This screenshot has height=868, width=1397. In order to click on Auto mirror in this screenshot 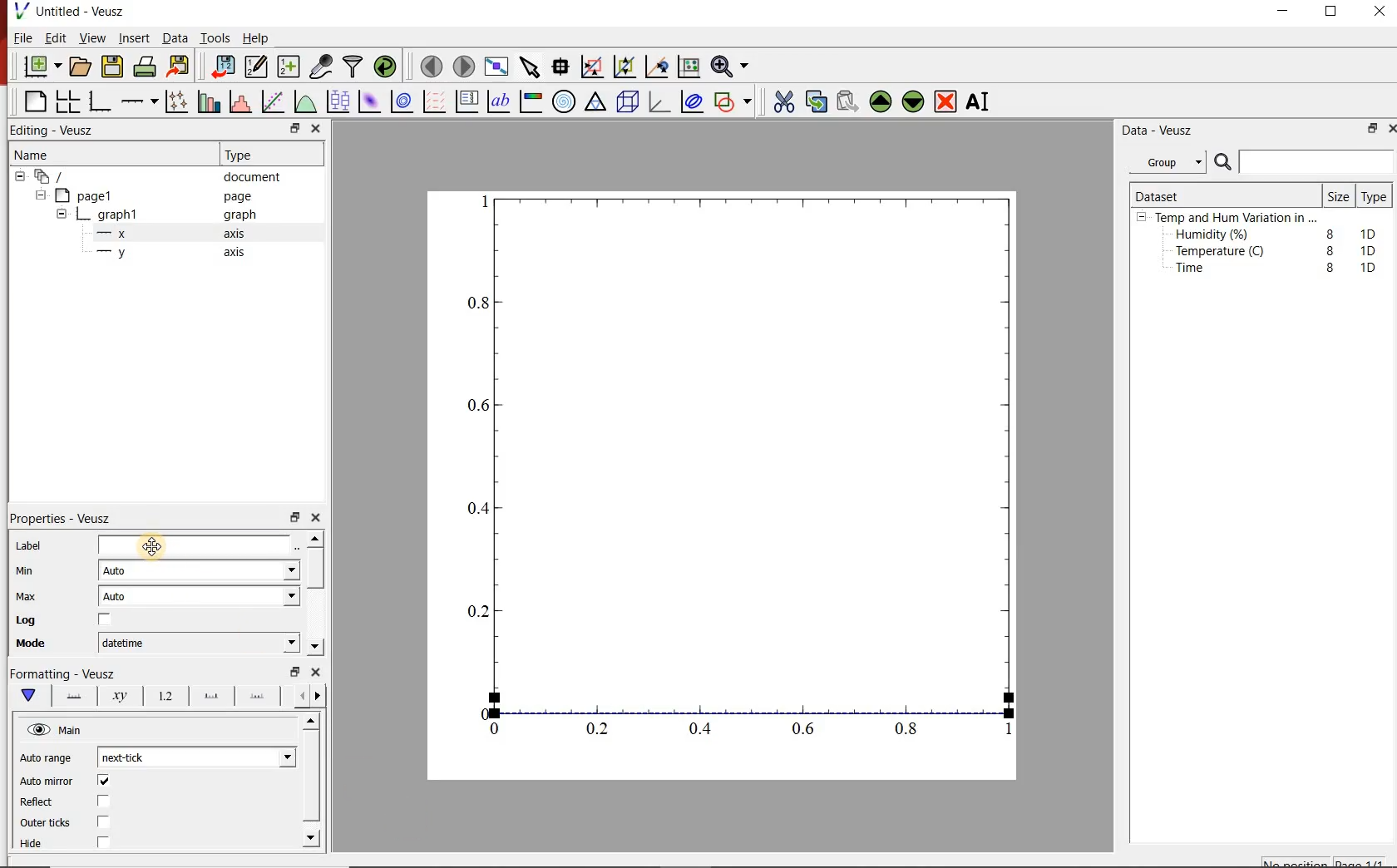, I will do `click(67, 782)`.